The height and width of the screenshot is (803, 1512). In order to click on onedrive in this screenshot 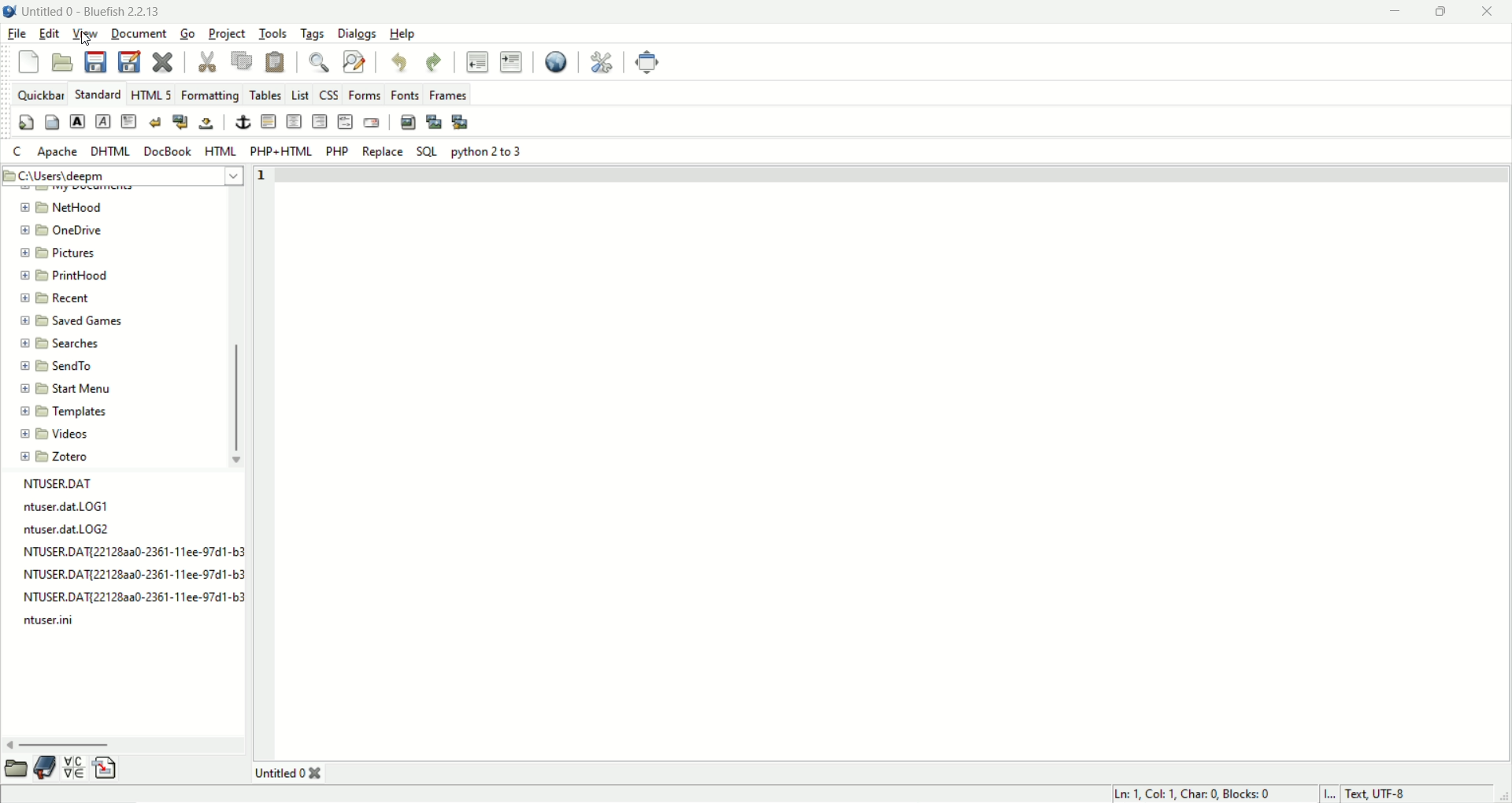, I will do `click(65, 230)`.